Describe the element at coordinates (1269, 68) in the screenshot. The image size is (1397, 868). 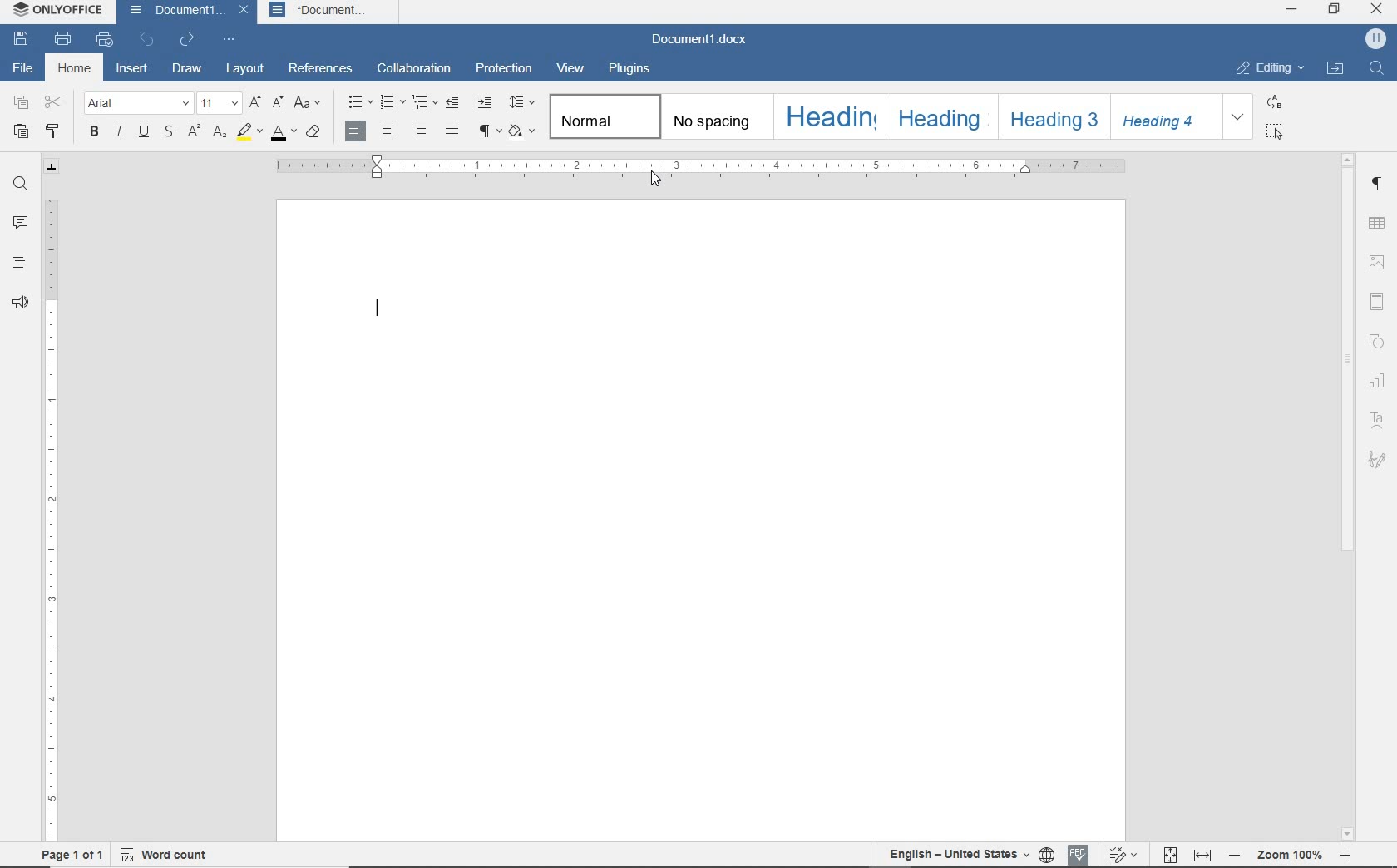
I see `EDITING` at that location.